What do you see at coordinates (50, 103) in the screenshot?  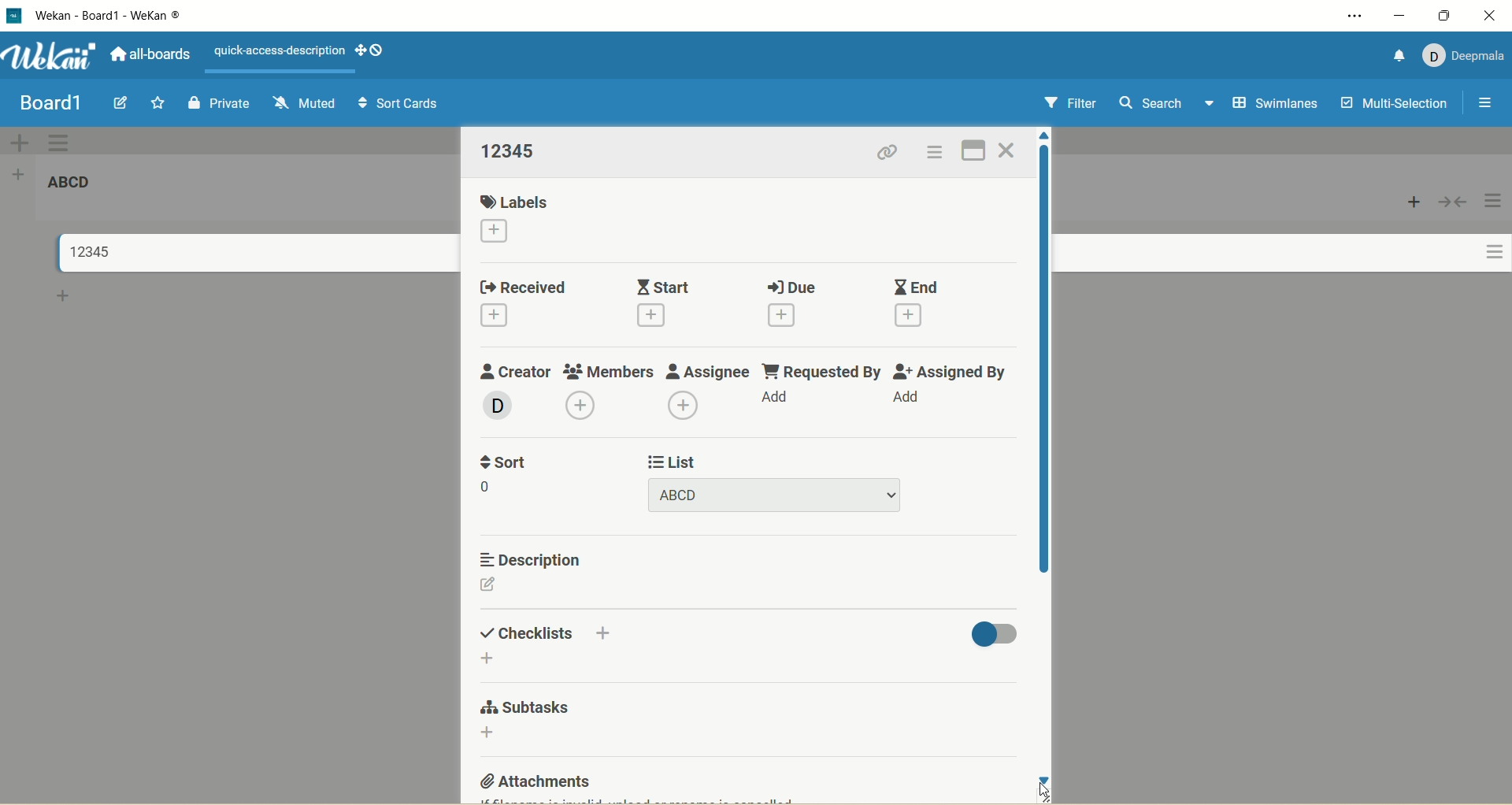 I see `title` at bounding box center [50, 103].